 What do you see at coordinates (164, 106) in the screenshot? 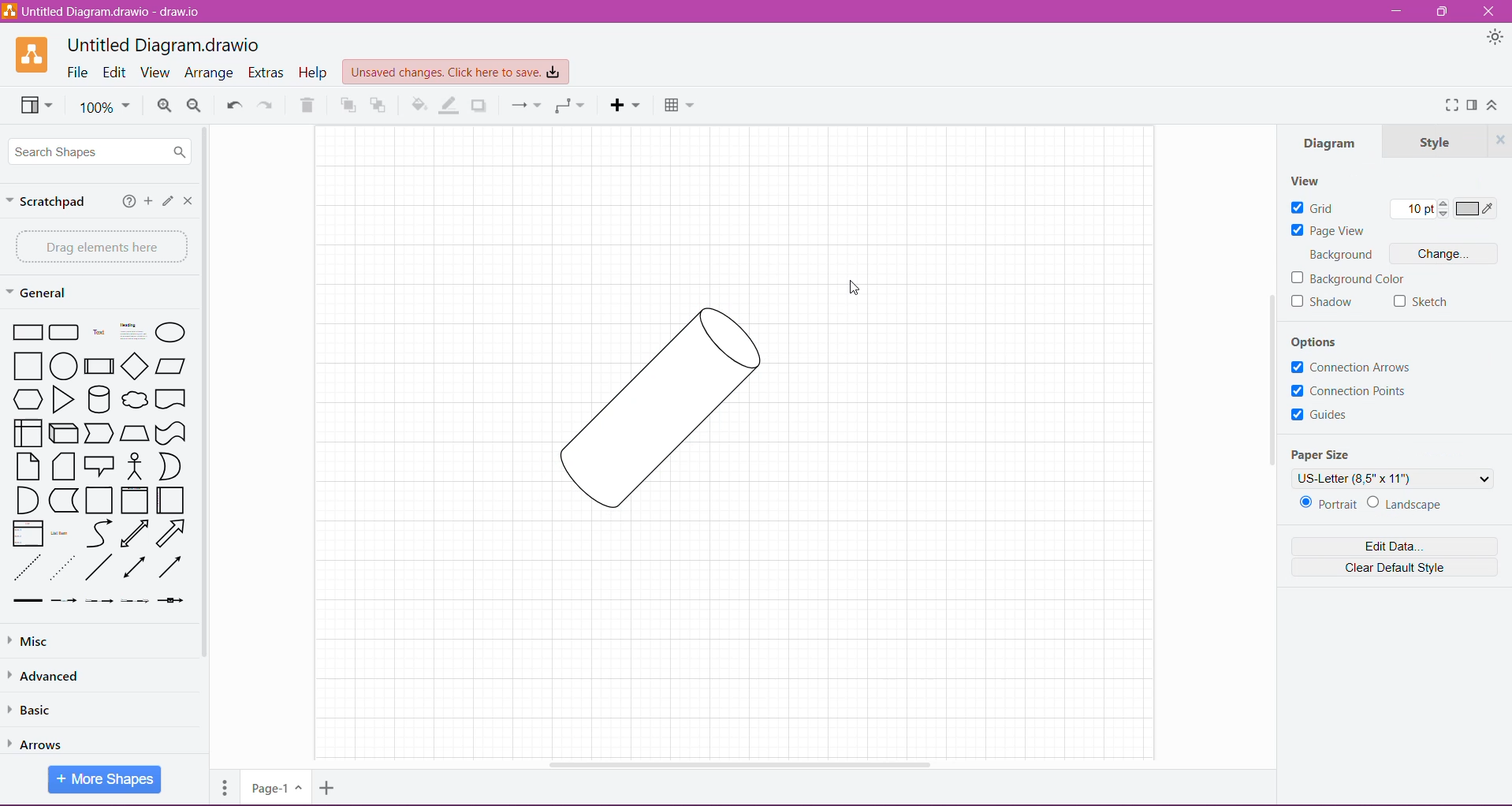
I see `Zoom In` at bounding box center [164, 106].